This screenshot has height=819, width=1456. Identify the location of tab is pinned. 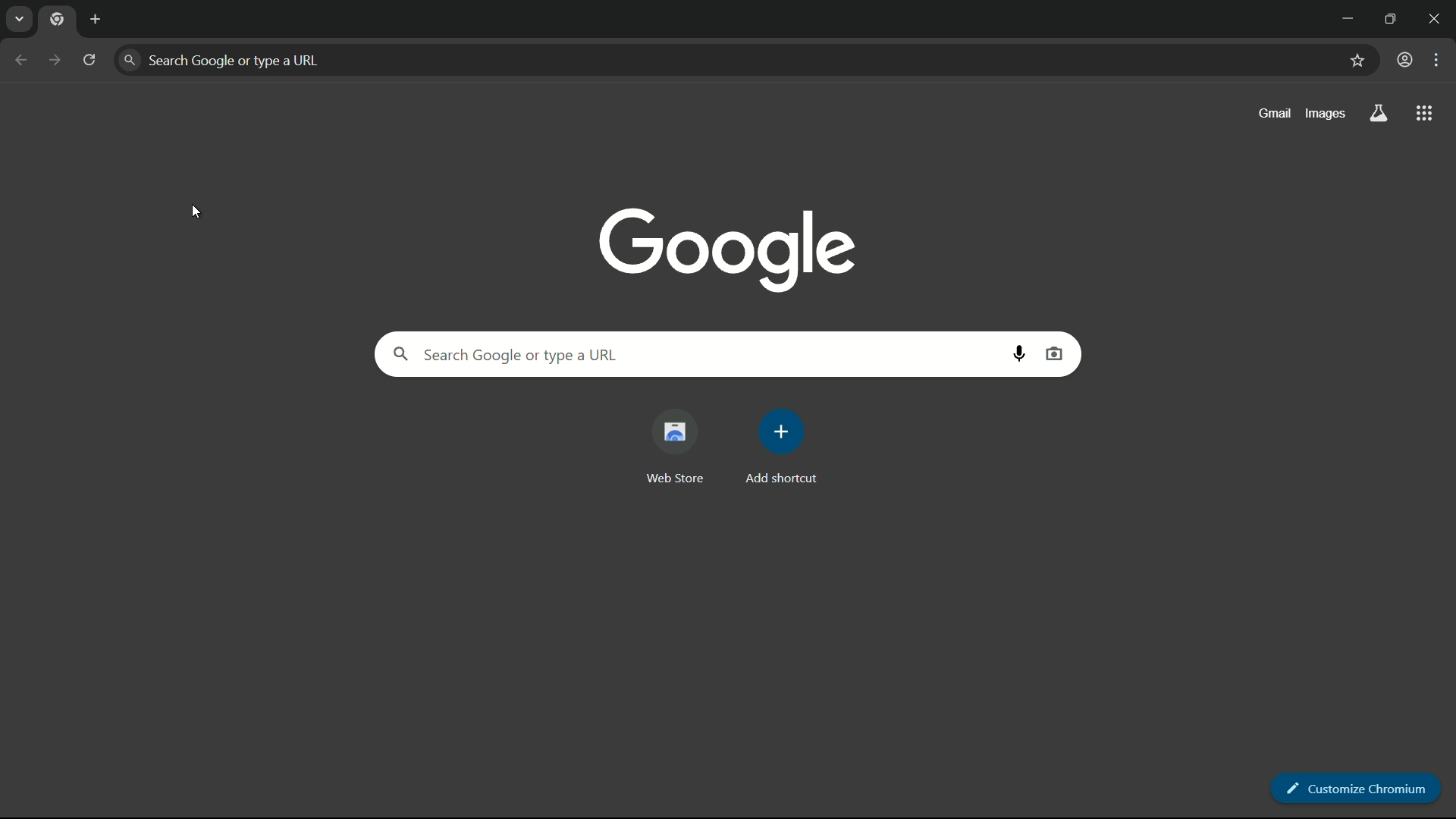
(61, 22).